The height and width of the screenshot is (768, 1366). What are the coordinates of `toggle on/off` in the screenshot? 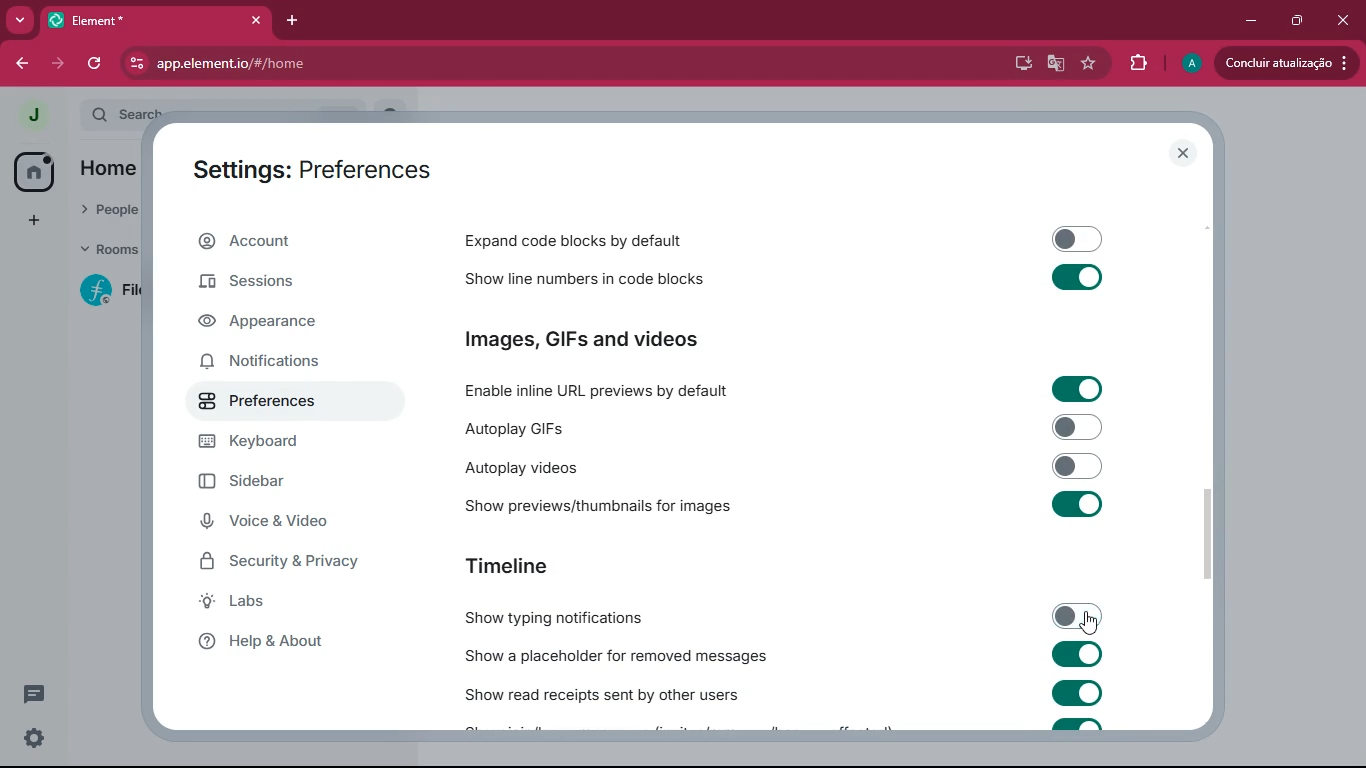 It's located at (1077, 504).